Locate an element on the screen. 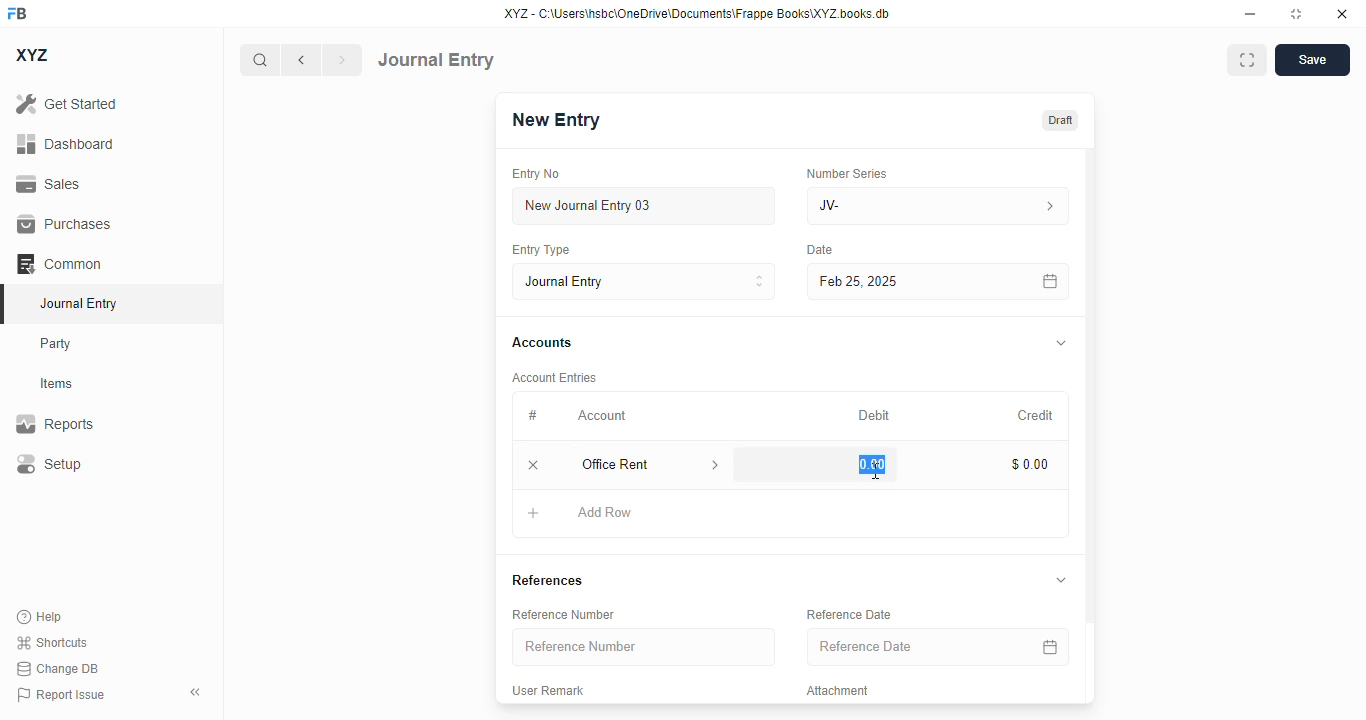  scroll bar is located at coordinates (1091, 424).